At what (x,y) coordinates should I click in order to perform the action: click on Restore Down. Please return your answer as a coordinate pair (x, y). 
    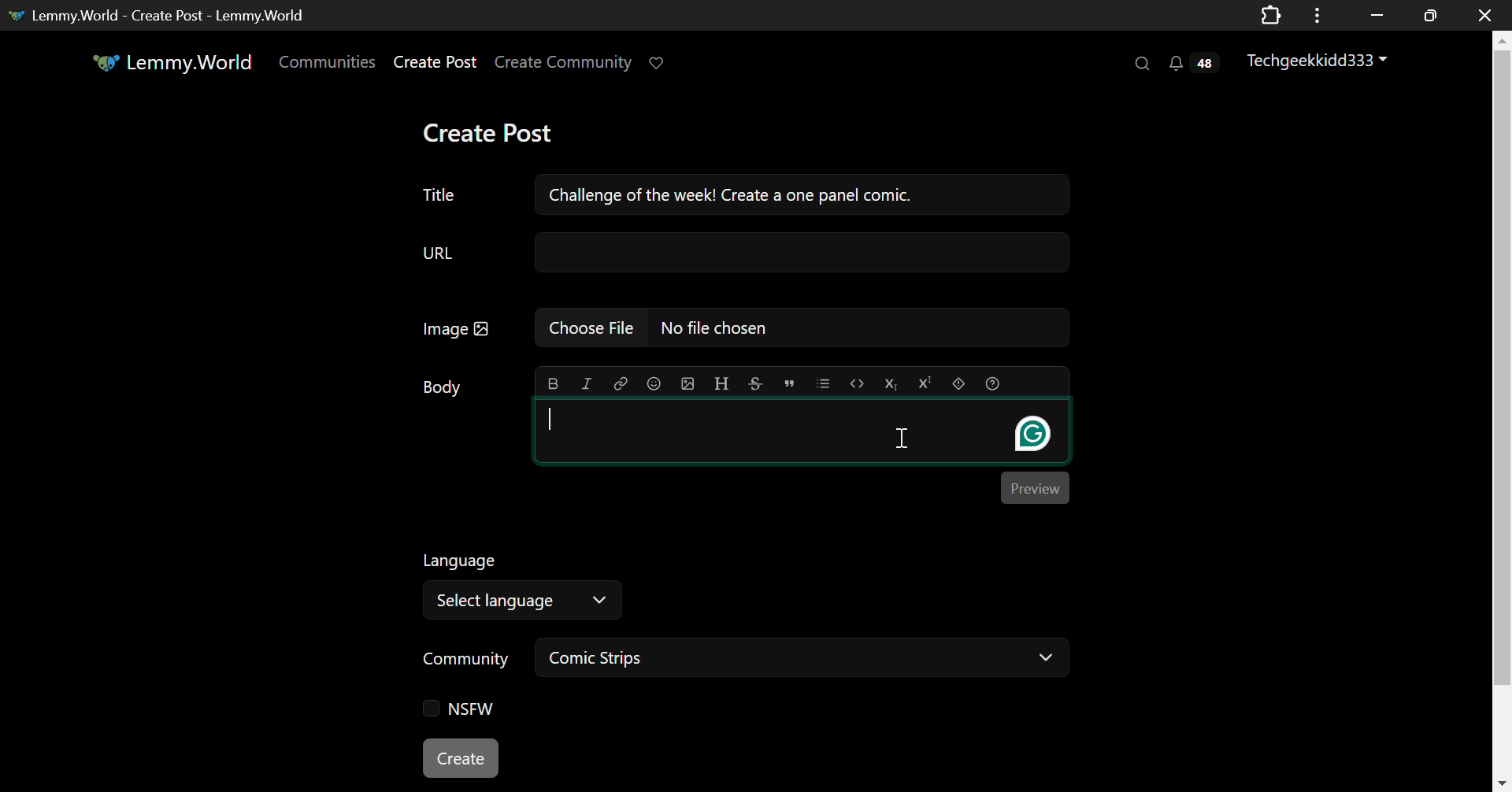
    Looking at the image, I should click on (1377, 13).